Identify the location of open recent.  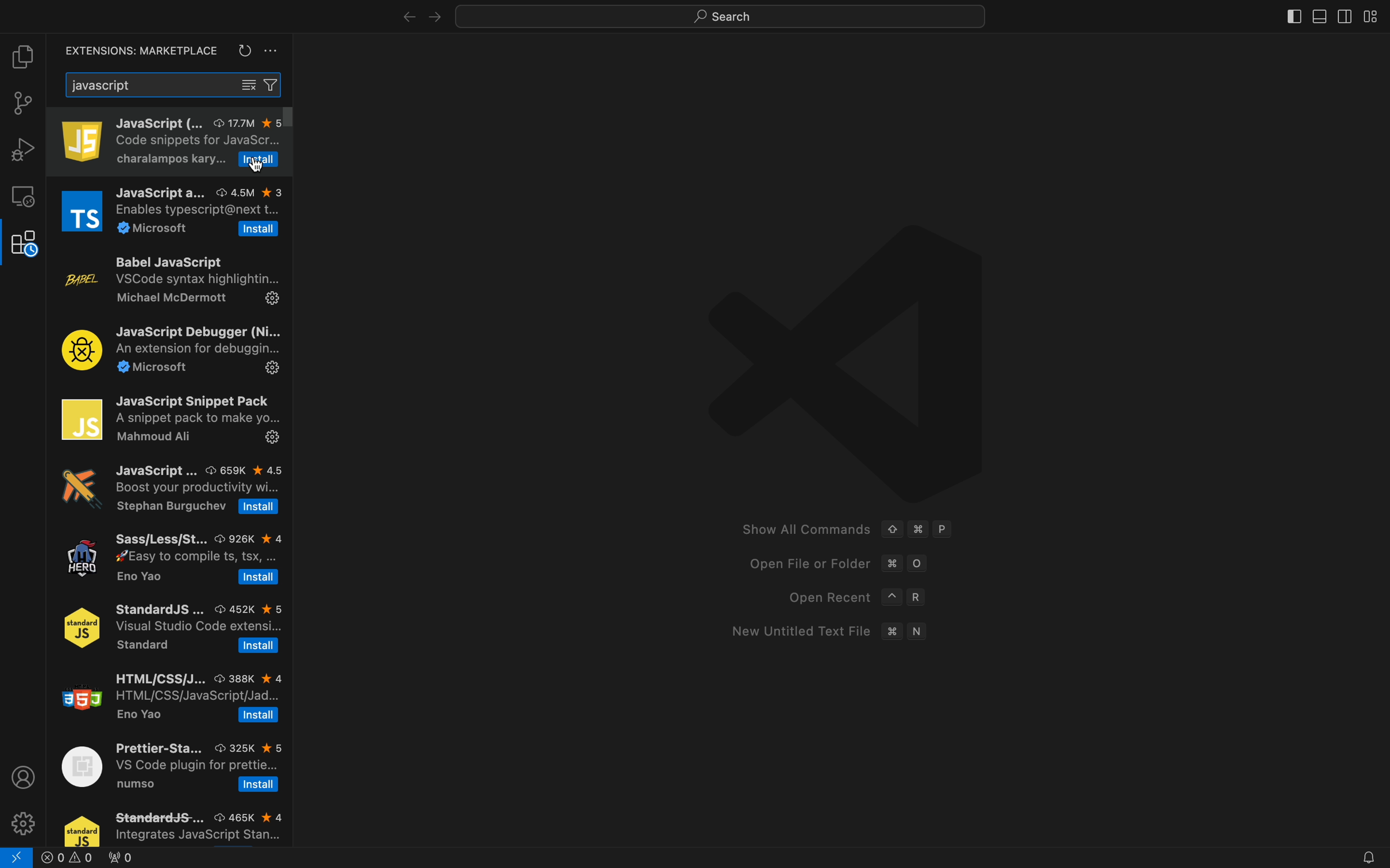
(850, 598).